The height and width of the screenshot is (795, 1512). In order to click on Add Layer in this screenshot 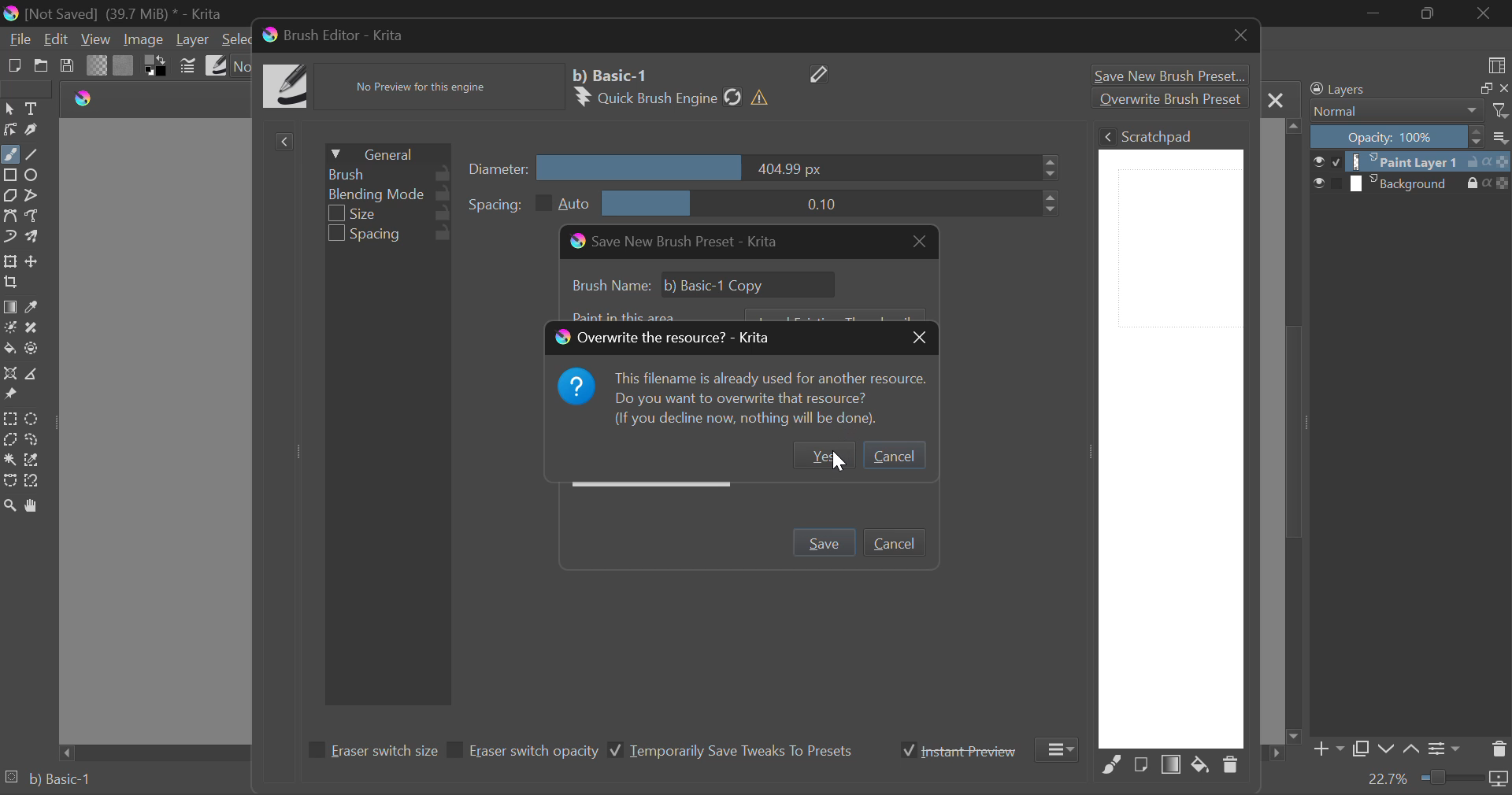, I will do `click(1328, 749)`.